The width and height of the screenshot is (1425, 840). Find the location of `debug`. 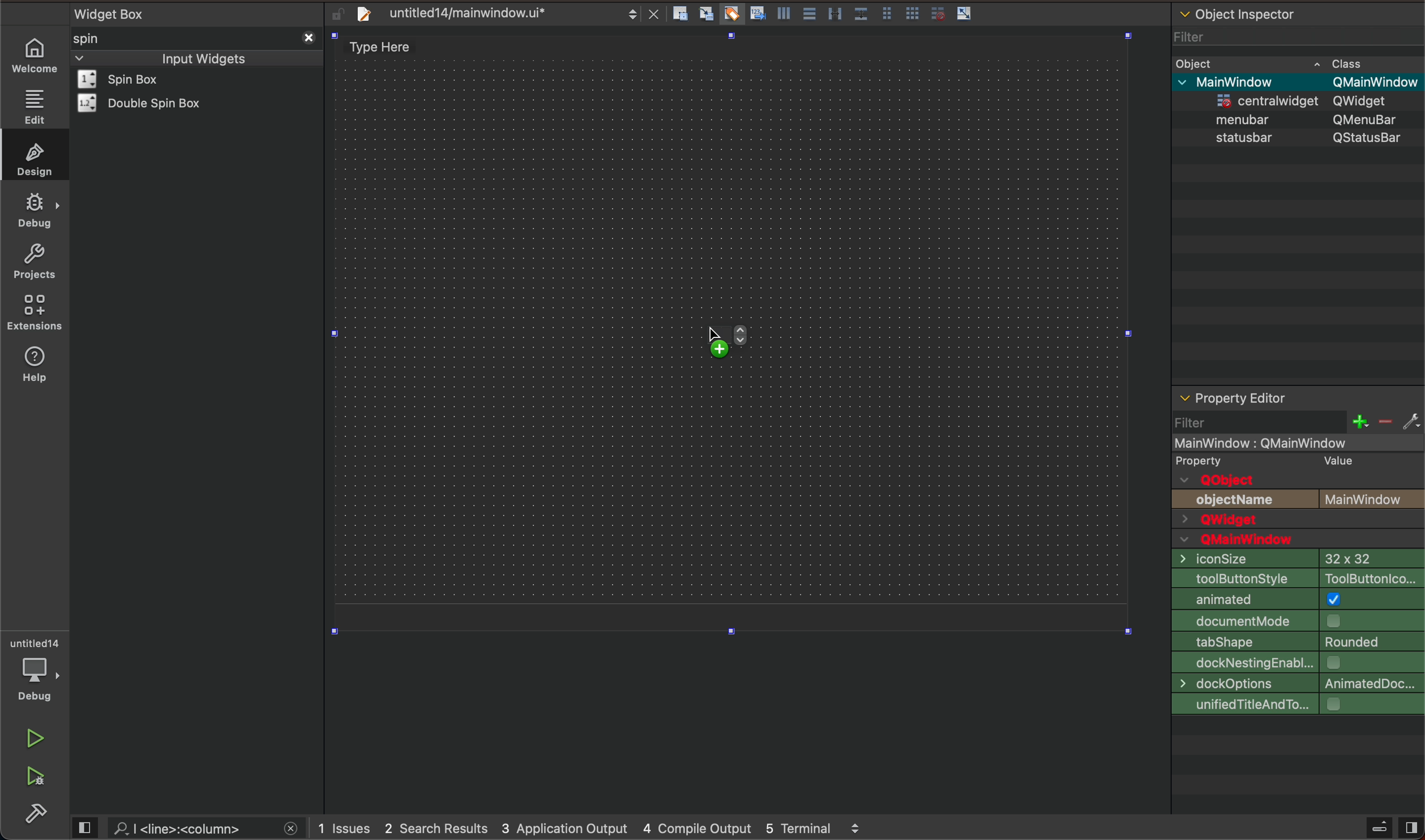

debug is located at coordinates (35, 211).